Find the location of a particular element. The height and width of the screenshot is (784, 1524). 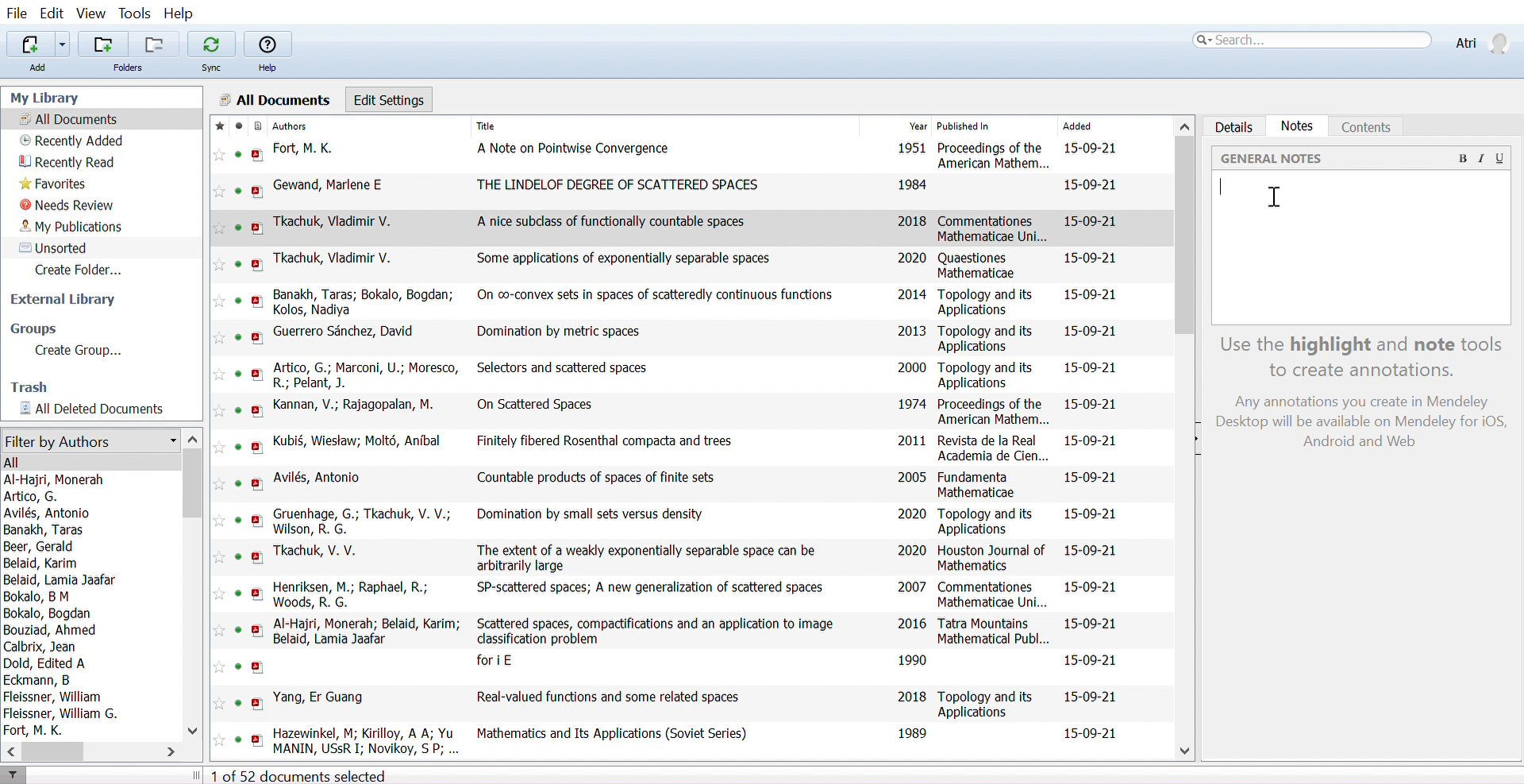

Coments is located at coordinates (1367, 127).